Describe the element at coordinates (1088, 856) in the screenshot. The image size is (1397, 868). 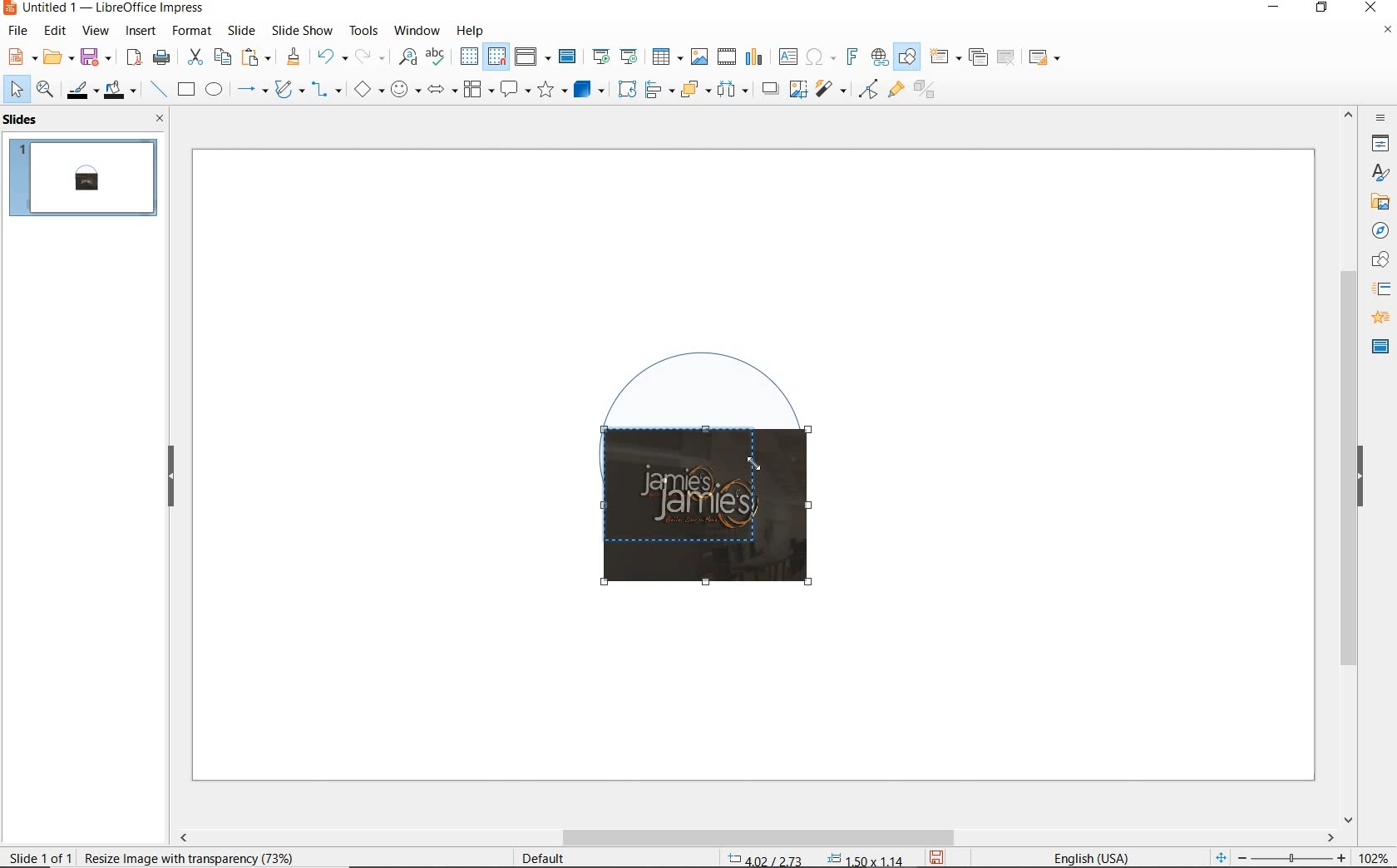
I see `Text language` at that location.